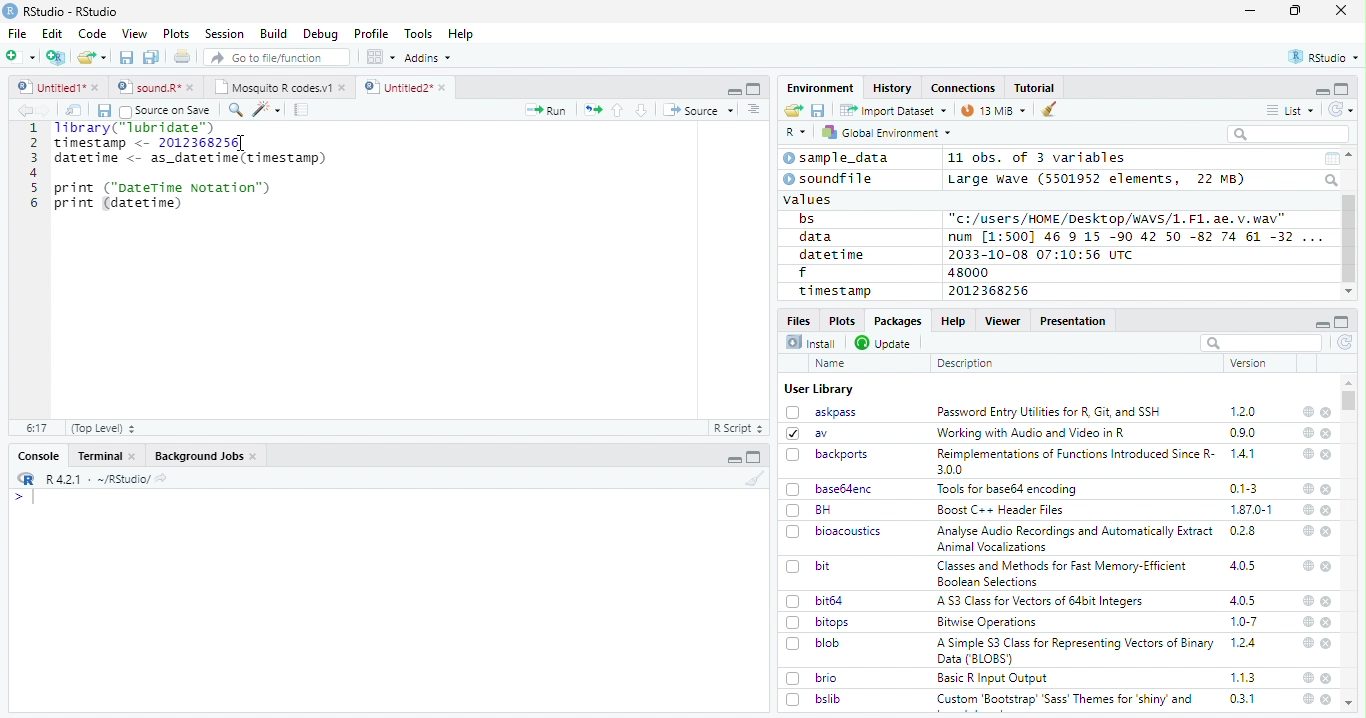 Image resolution: width=1366 pixels, height=718 pixels. What do you see at coordinates (164, 196) in the screenshot?
I see `print ("pateTime Notation")
print (datetime)` at bounding box center [164, 196].